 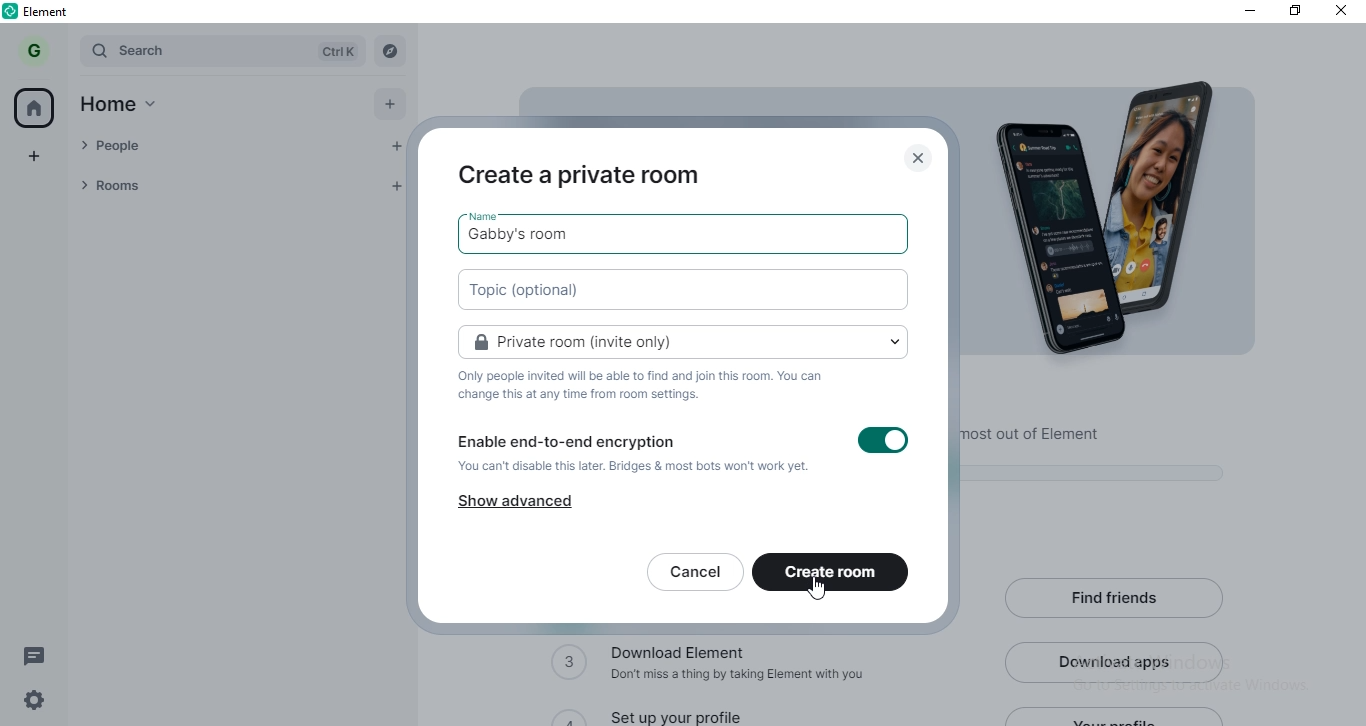 What do you see at coordinates (722, 666) in the screenshot?
I see `download elements` at bounding box center [722, 666].